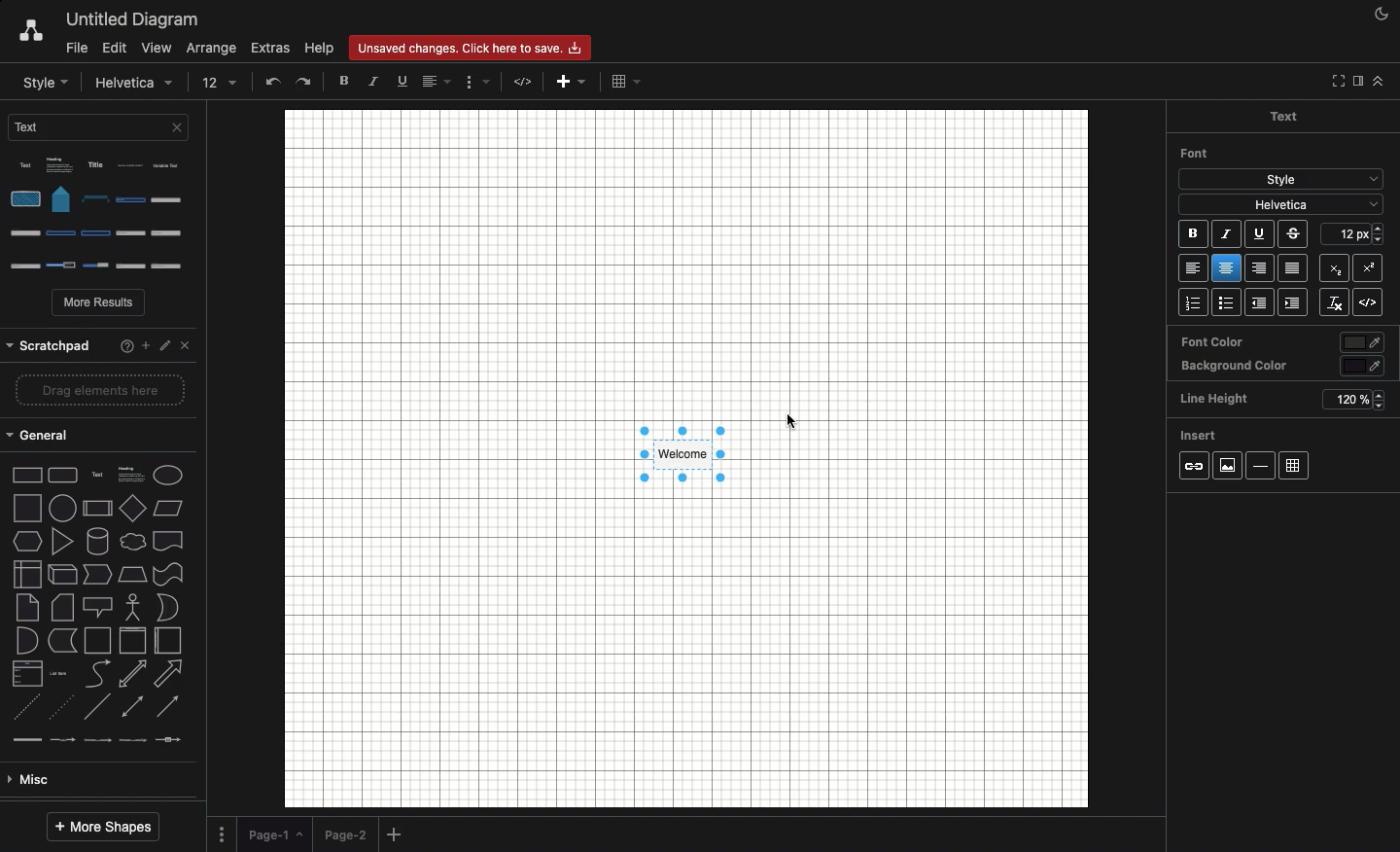  Describe the element at coordinates (784, 424) in the screenshot. I see `cursor` at that location.